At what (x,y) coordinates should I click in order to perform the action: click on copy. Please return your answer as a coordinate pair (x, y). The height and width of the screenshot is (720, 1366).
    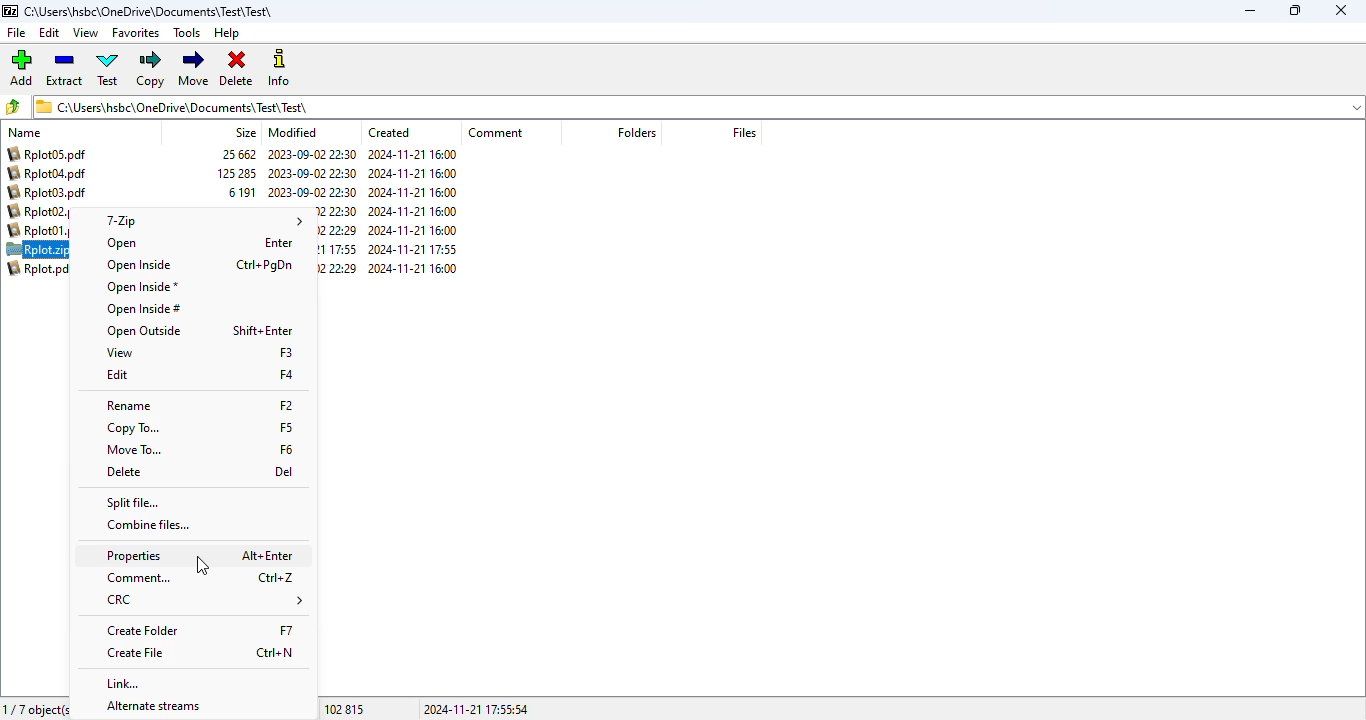
    Looking at the image, I should click on (150, 69).